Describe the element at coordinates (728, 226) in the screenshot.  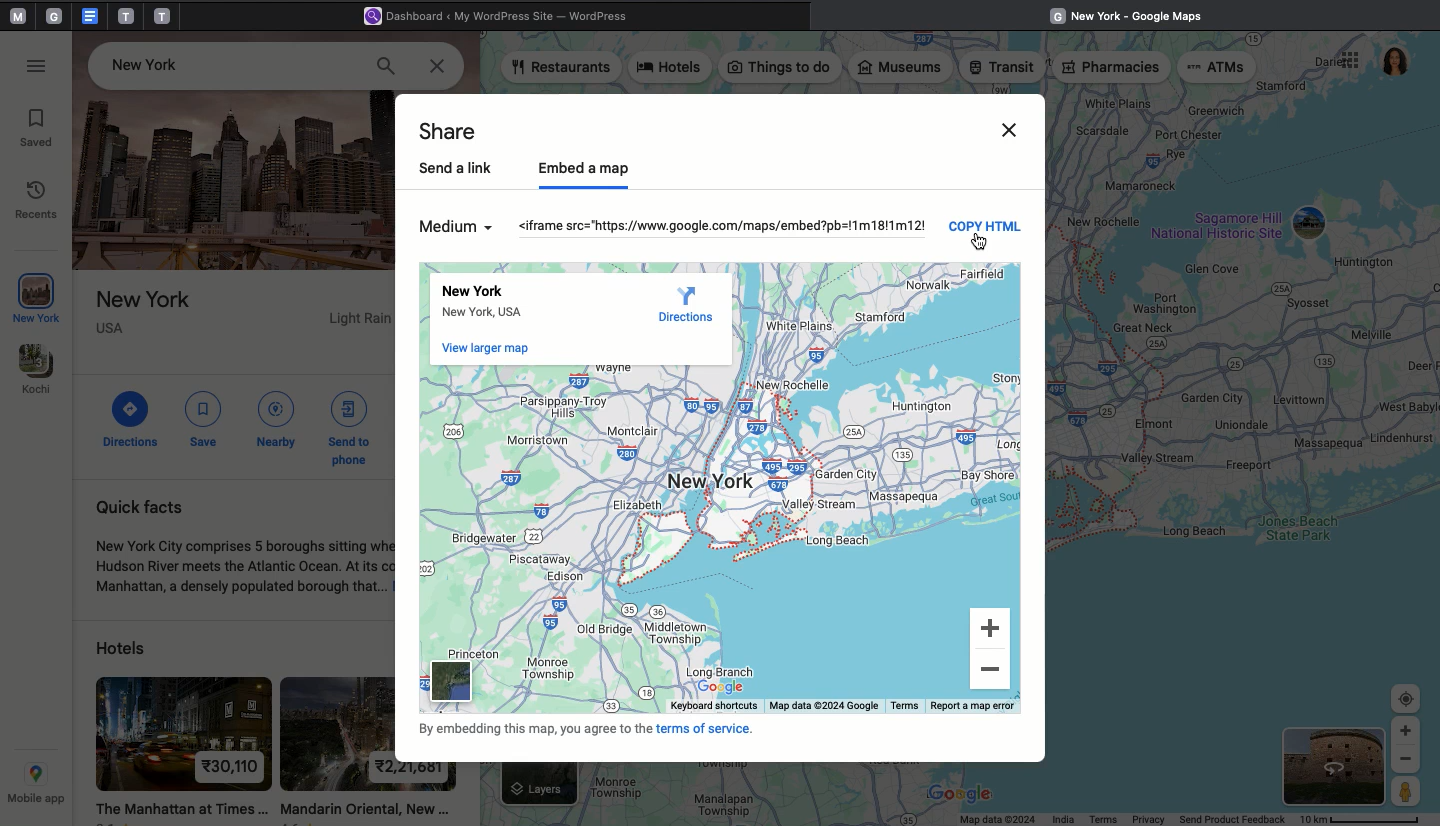
I see `HTML` at that location.